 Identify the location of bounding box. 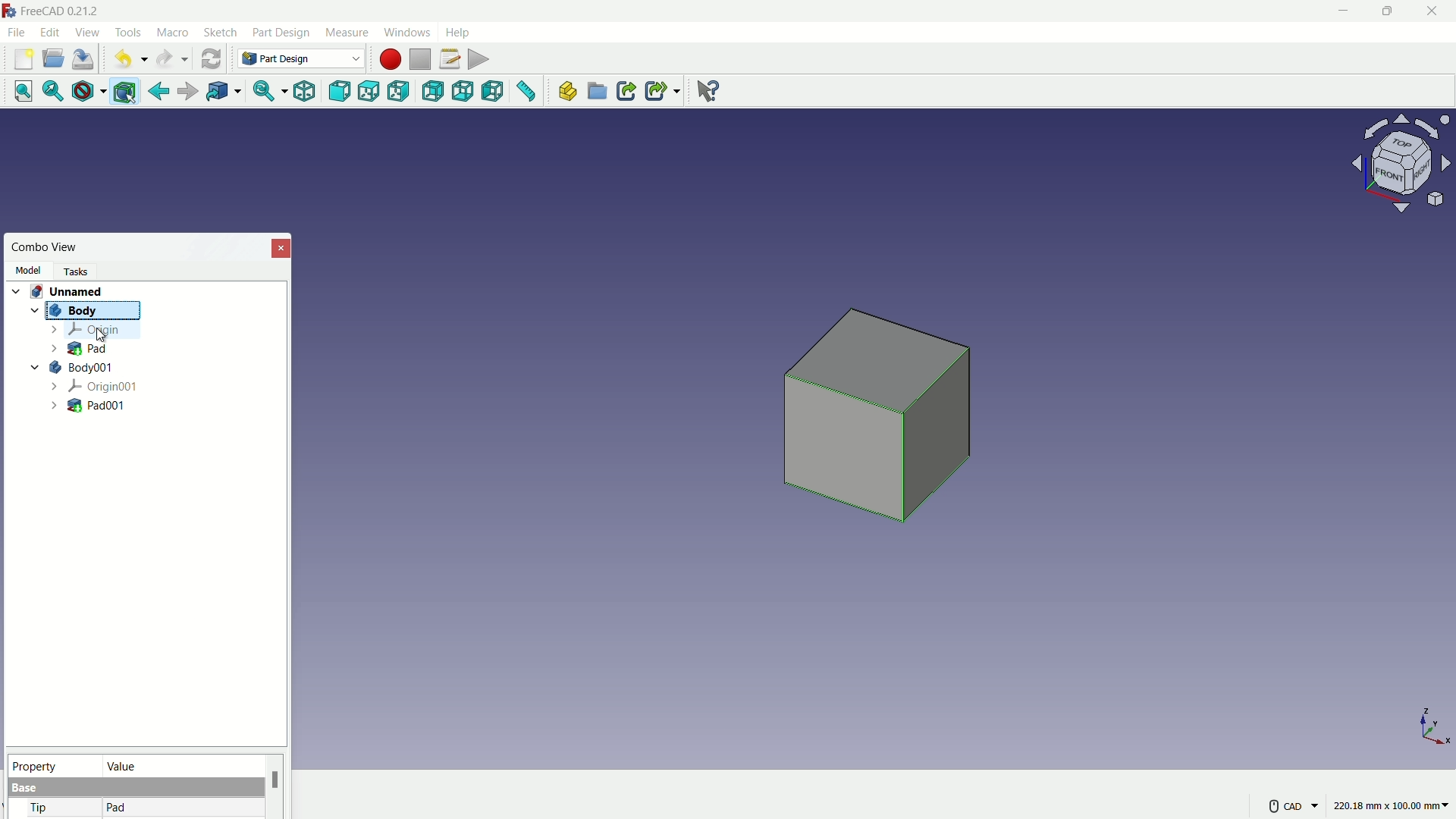
(127, 93).